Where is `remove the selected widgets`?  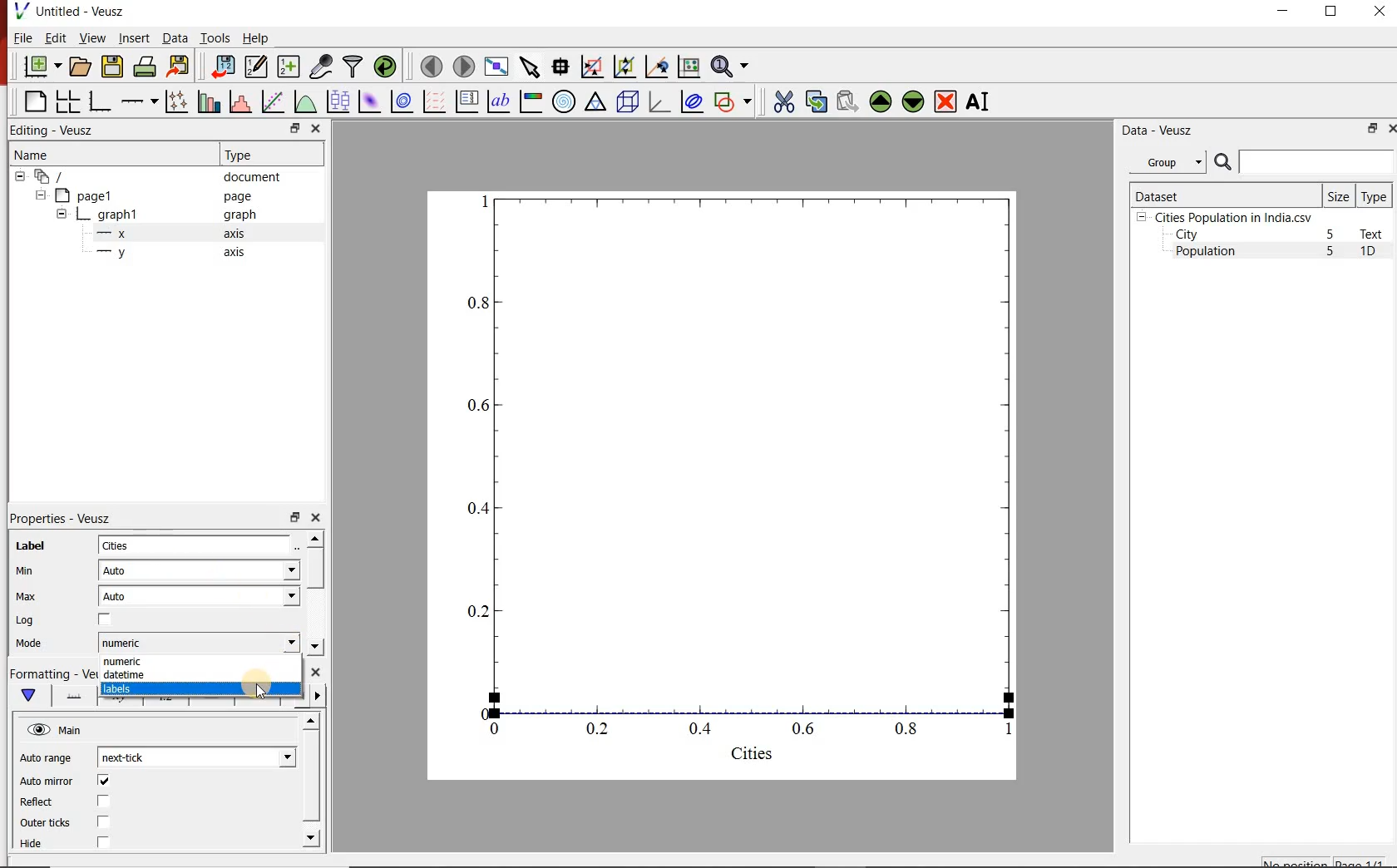 remove the selected widgets is located at coordinates (947, 101).